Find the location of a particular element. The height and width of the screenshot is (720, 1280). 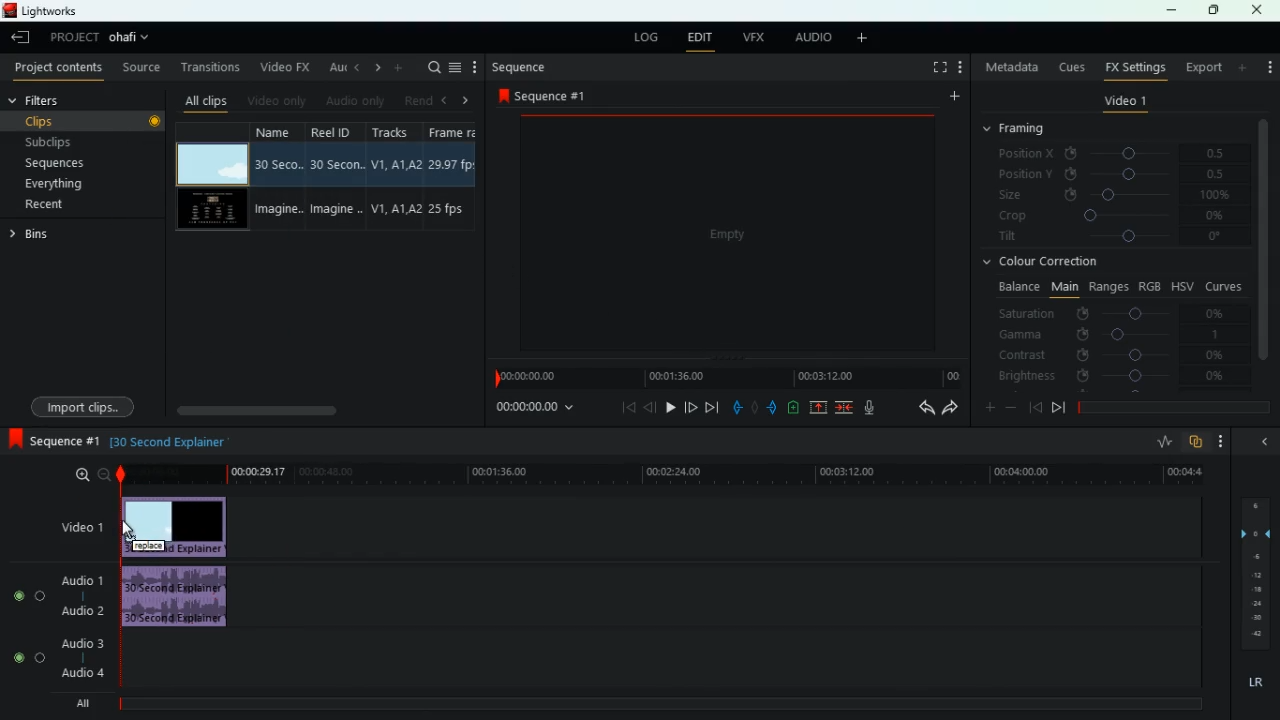

log is located at coordinates (646, 39).